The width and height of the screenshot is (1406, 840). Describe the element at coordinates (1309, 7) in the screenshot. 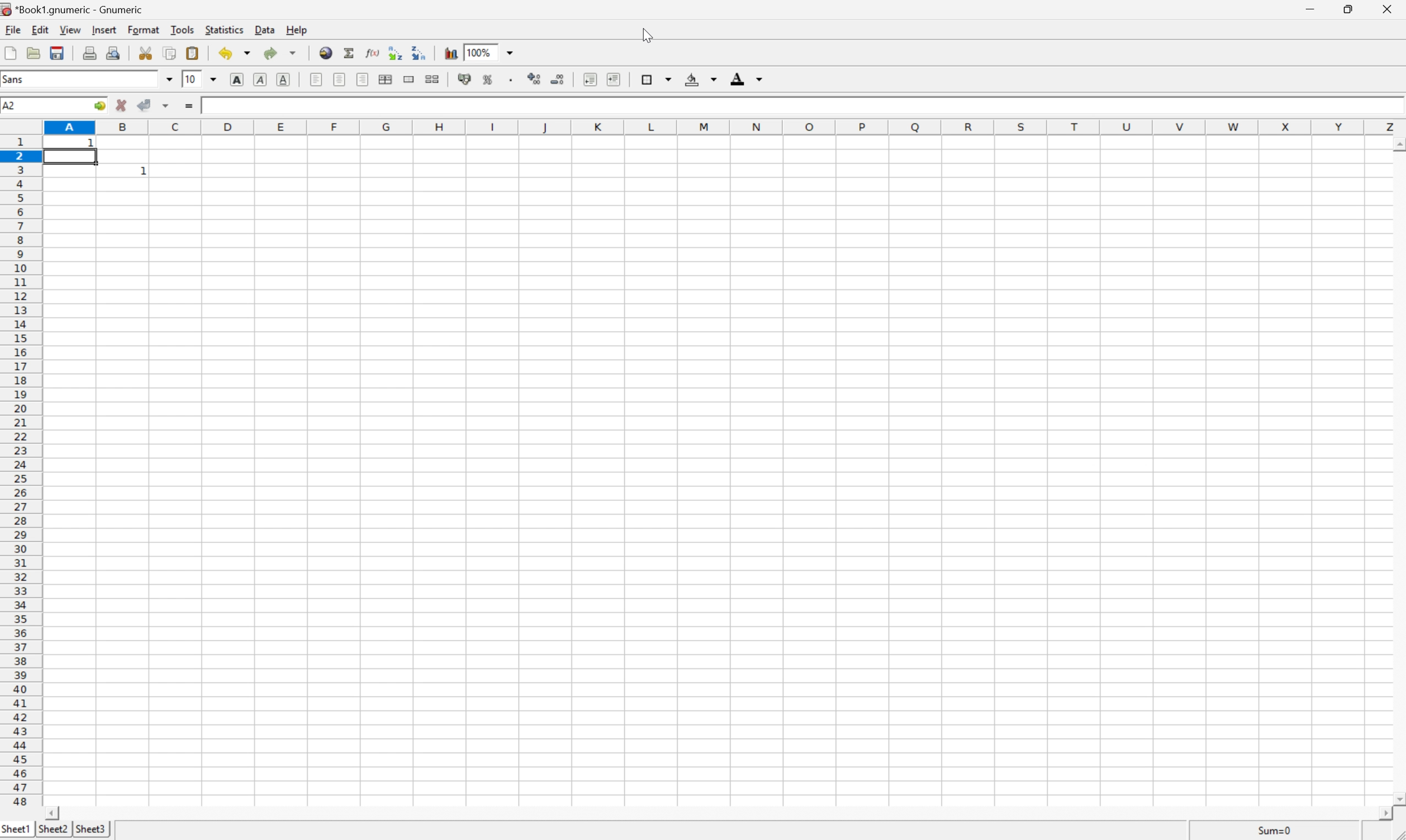

I see `minimize` at that location.